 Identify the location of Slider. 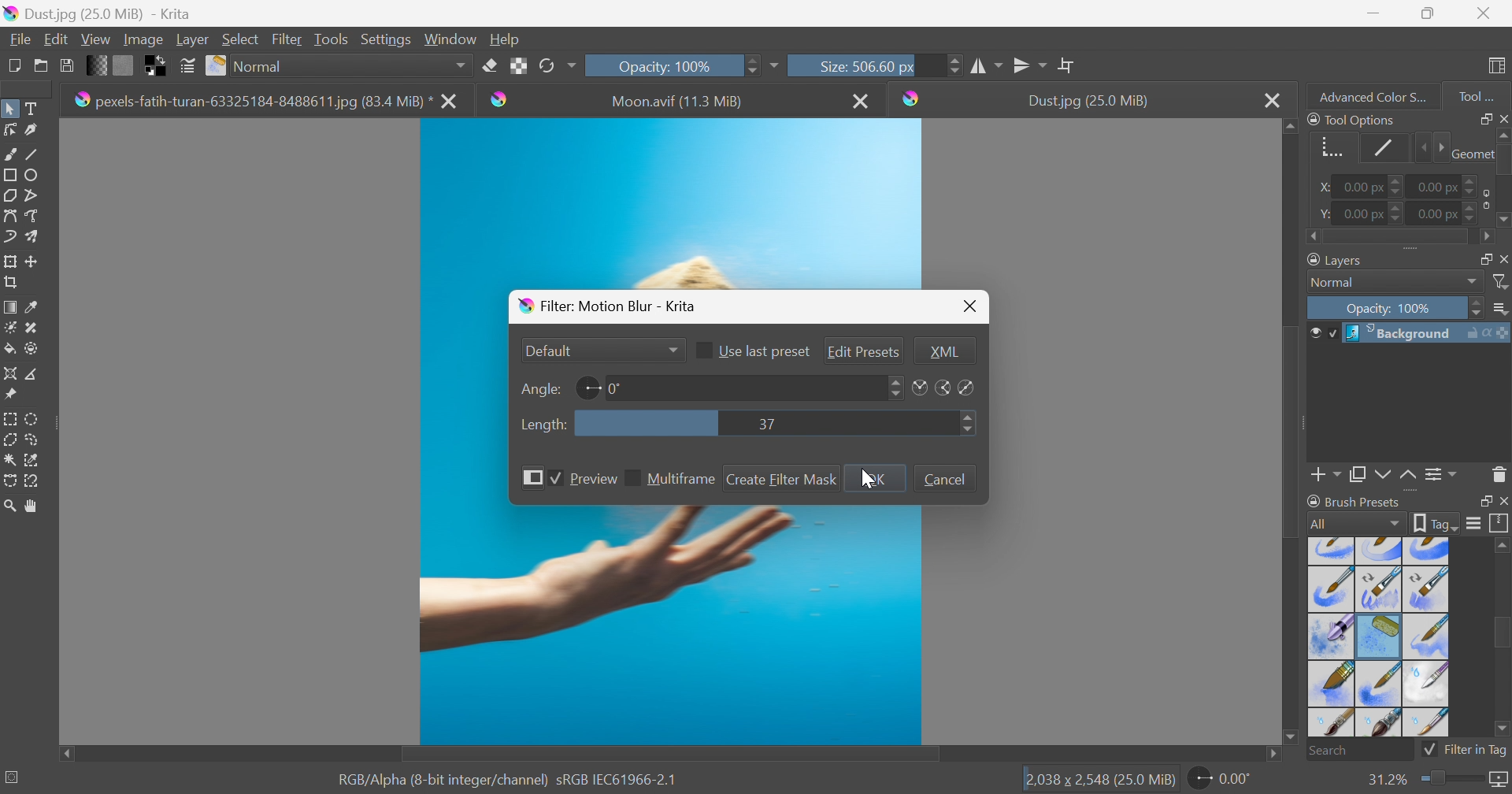
(1503, 179).